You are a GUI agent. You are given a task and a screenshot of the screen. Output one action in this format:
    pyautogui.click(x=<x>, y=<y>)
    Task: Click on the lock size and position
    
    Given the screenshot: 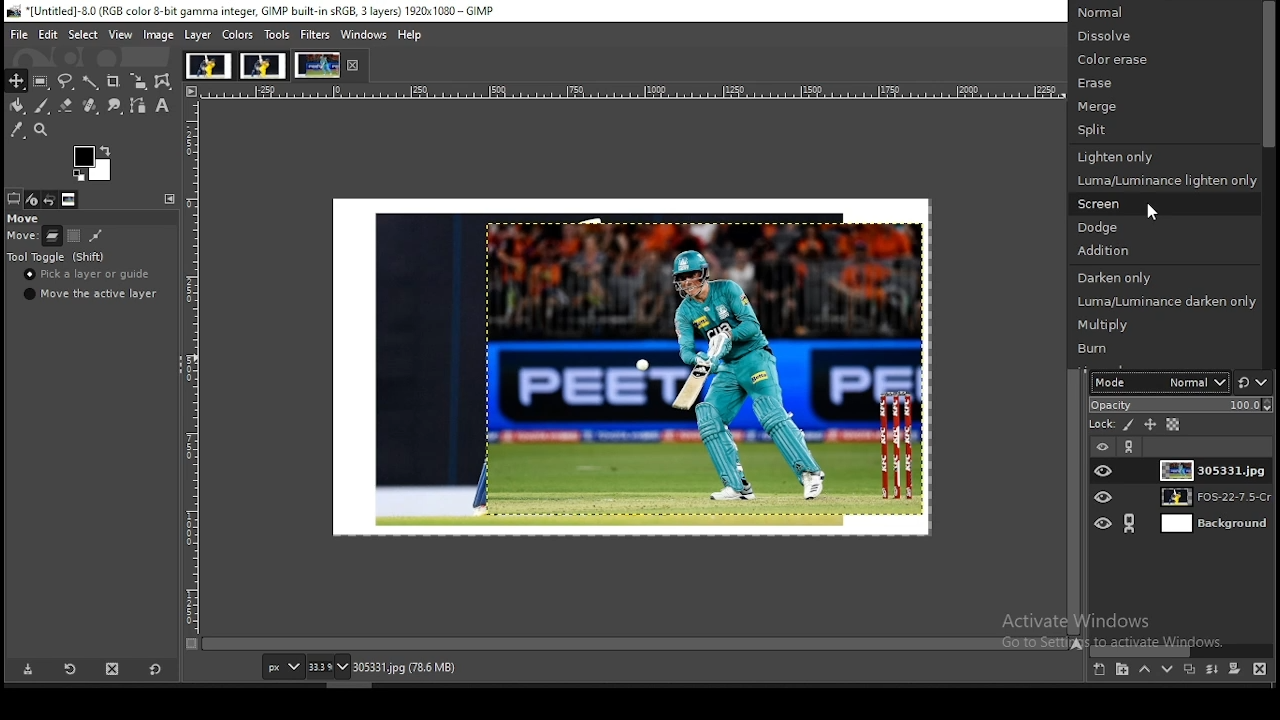 What is the action you would take?
    pyautogui.click(x=1149, y=425)
    